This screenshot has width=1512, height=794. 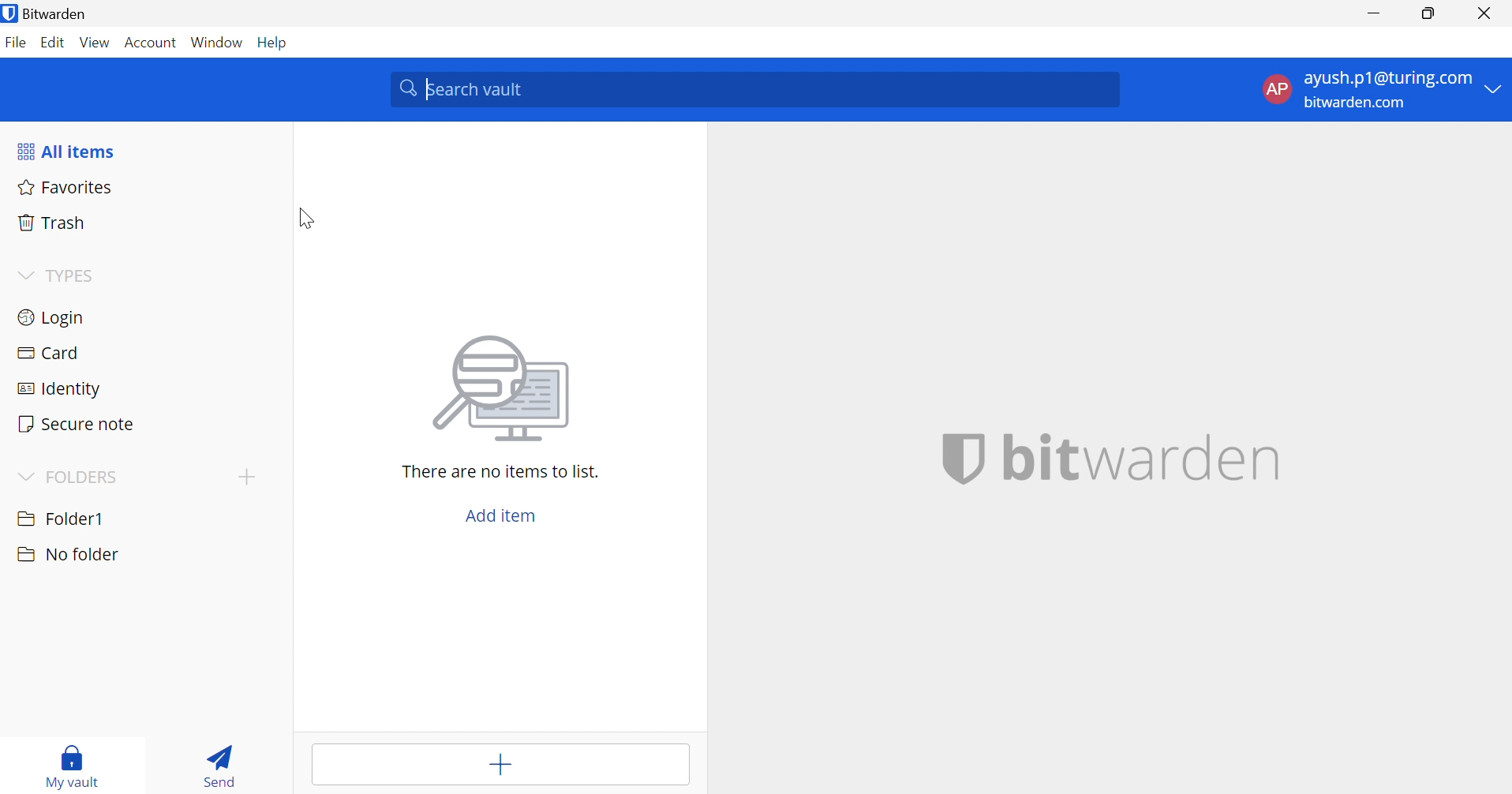 What do you see at coordinates (964, 460) in the screenshot?
I see `bitwarden logo` at bounding box center [964, 460].